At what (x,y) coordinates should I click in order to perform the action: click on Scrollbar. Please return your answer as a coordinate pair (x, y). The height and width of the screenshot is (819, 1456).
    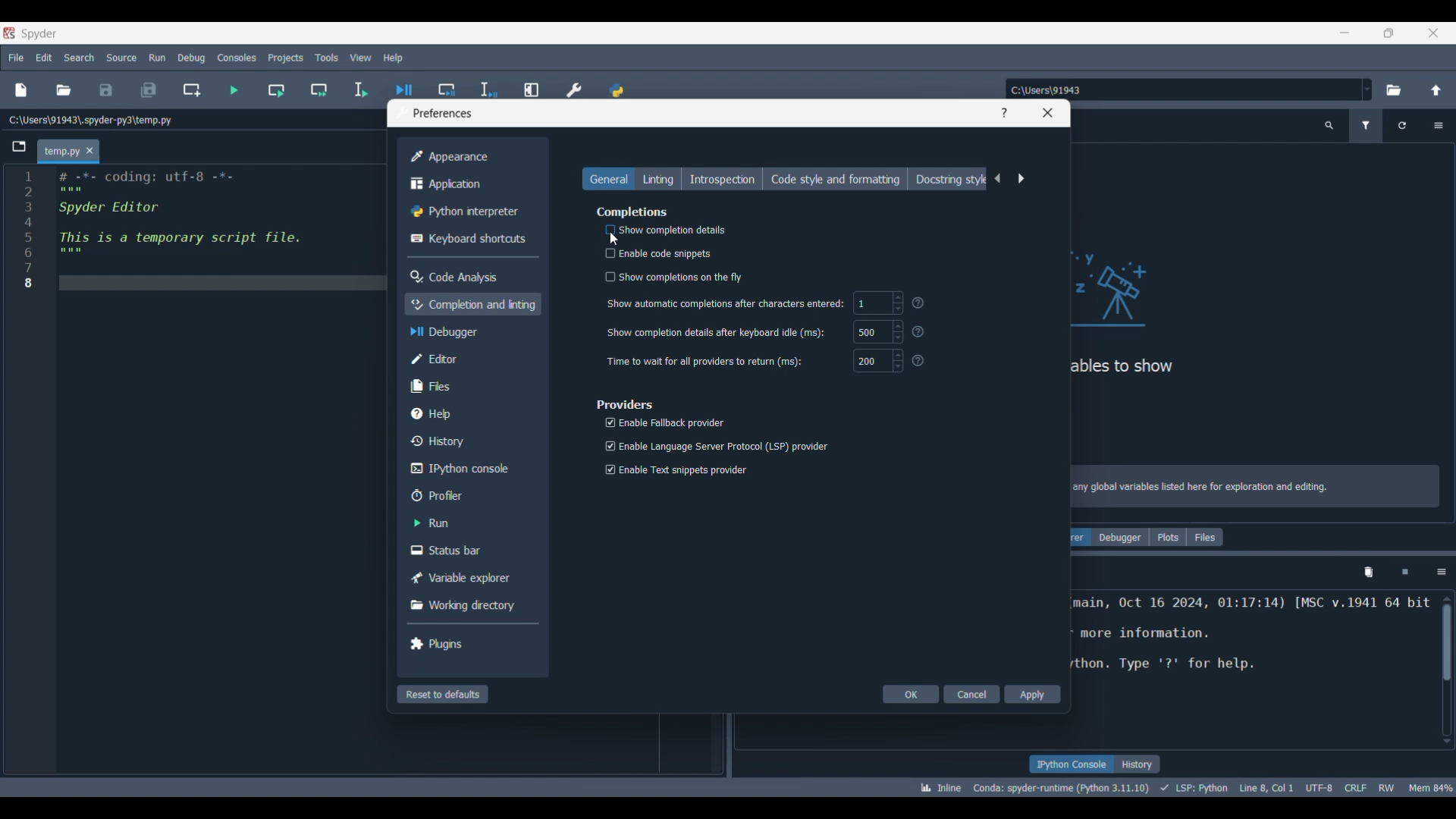
    Looking at the image, I should click on (1447, 651).